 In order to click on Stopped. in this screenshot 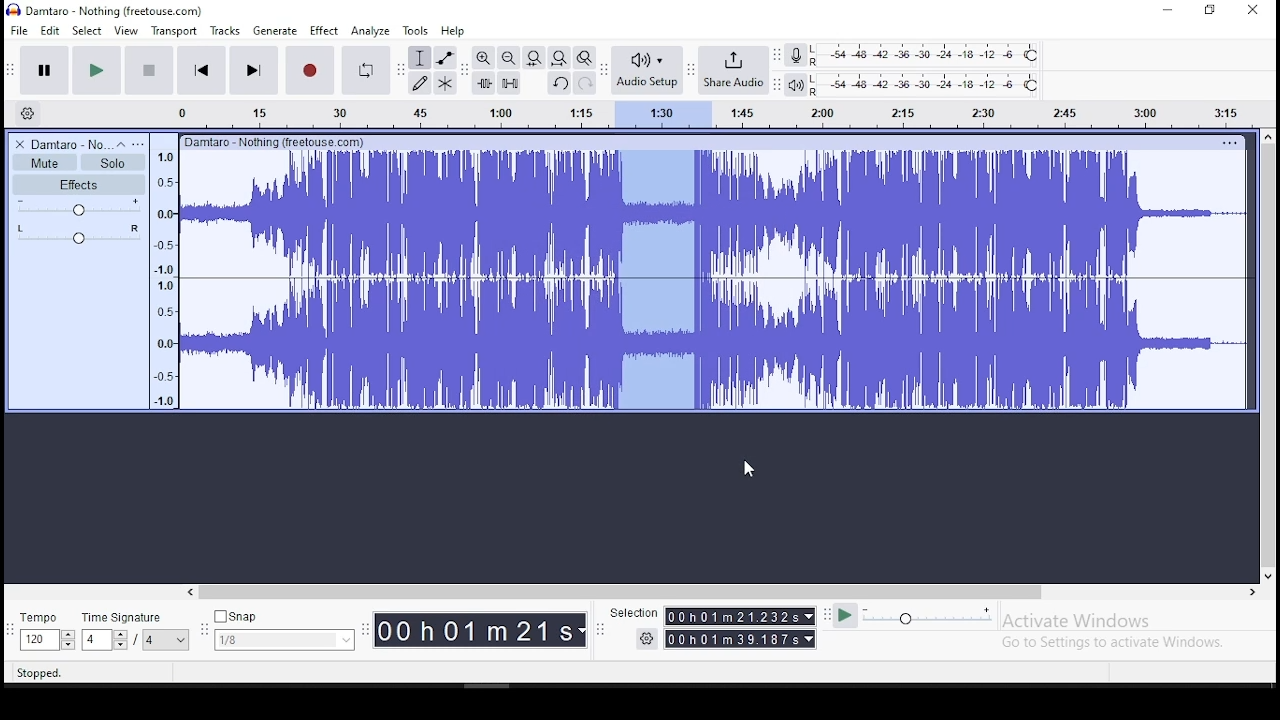, I will do `click(38, 672)`.